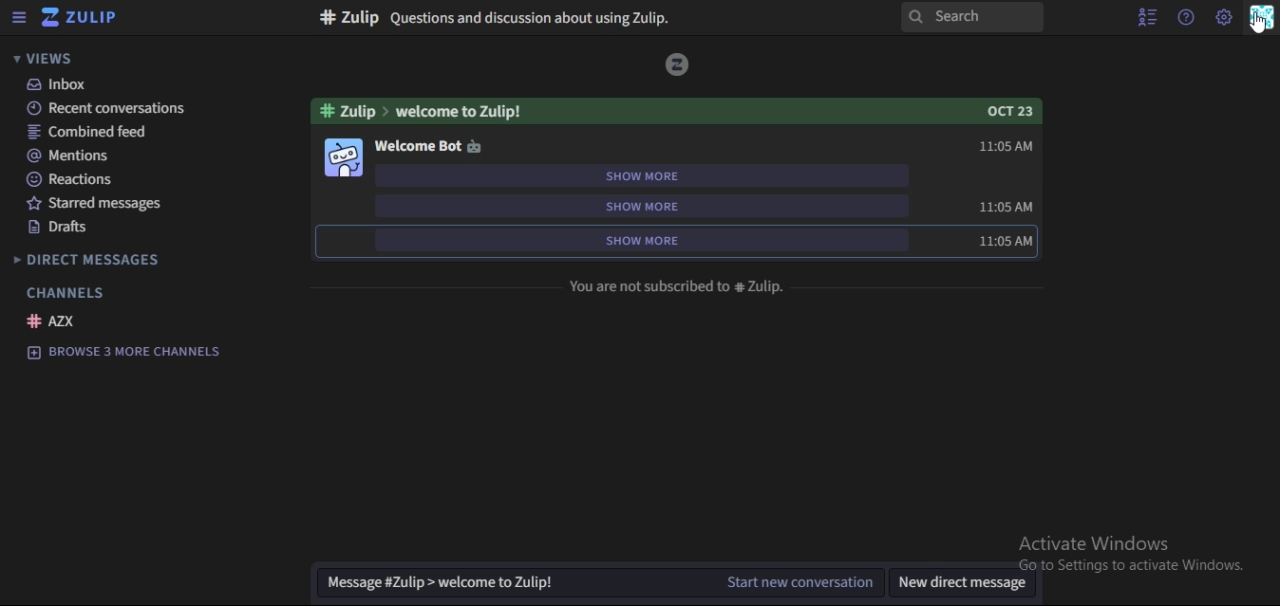  Describe the element at coordinates (81, 19) in the screenshot. I see `icon` at that location.